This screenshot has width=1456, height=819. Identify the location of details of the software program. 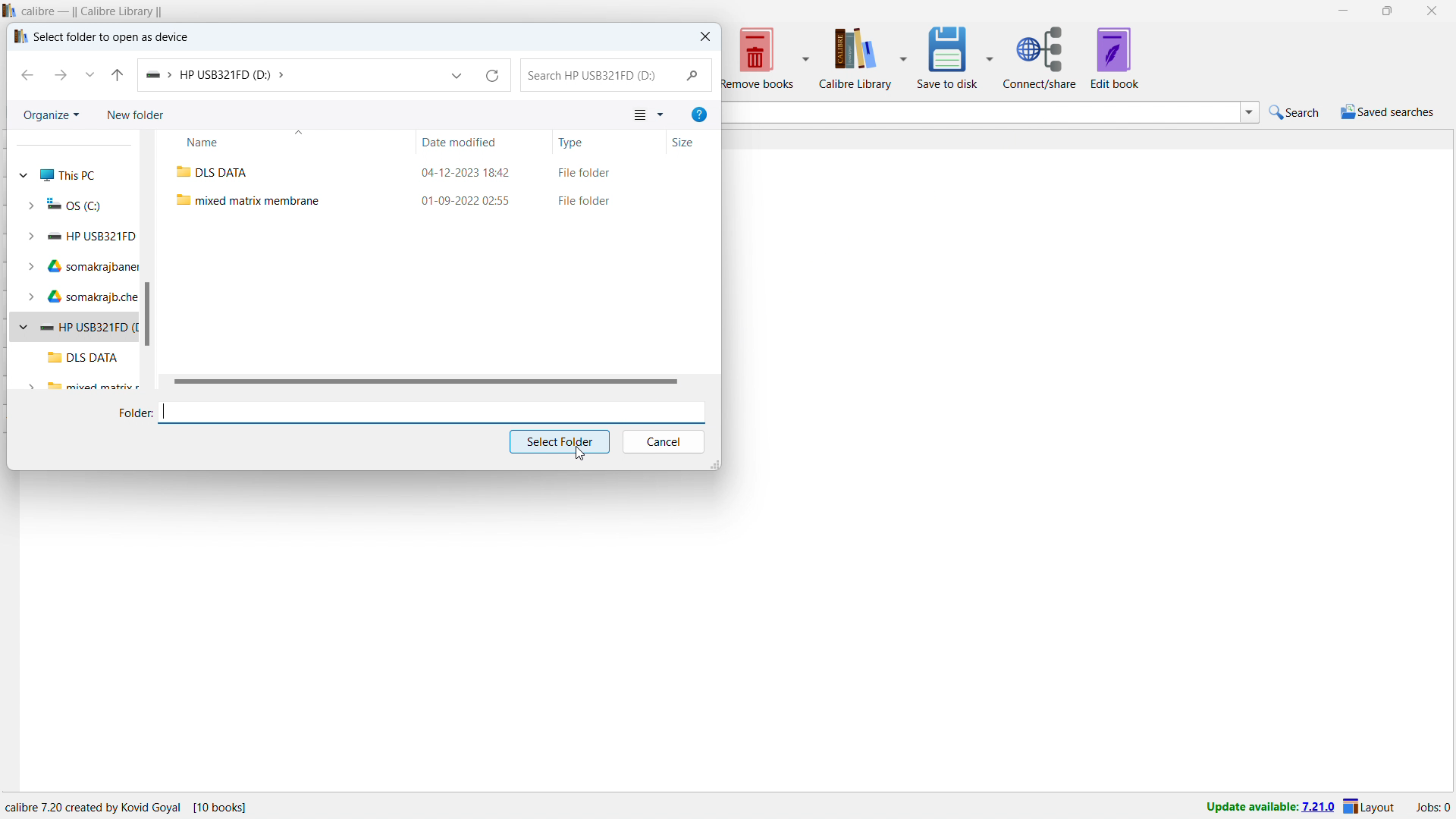
(190, 803).